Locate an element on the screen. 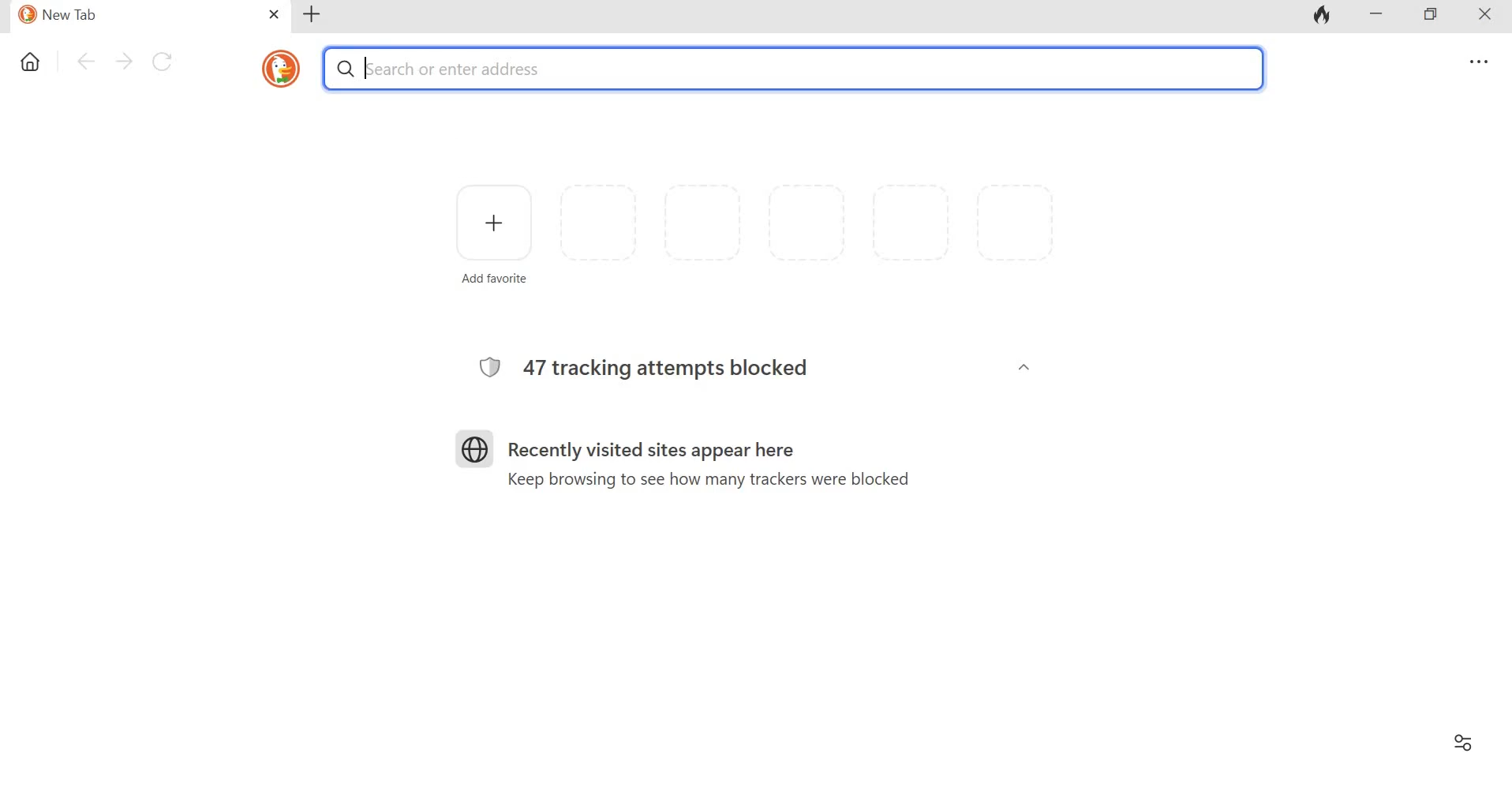  Keep browsing to see how many trackers were blocked is located at coordinates (709, 480).